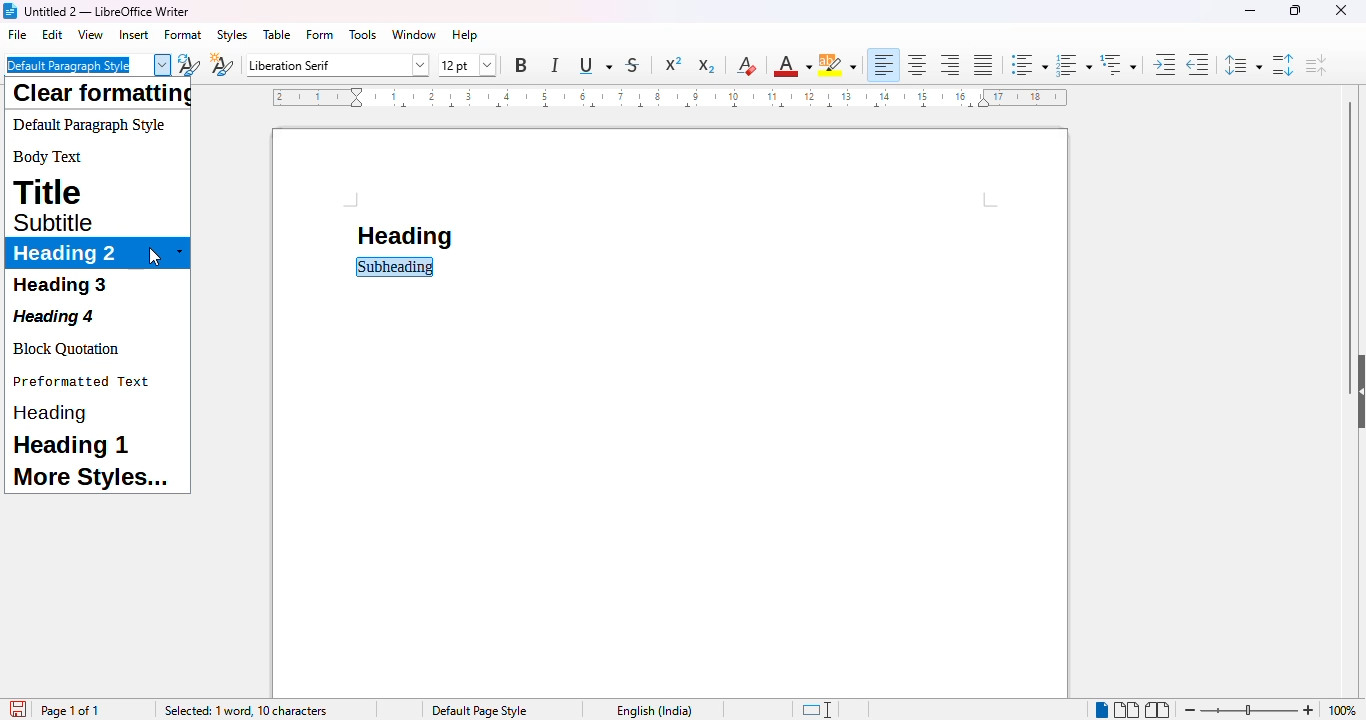  What do you see at coordinates (674, 63) in the screenshot?
I see `superscript` at bounding box center [674, 63].